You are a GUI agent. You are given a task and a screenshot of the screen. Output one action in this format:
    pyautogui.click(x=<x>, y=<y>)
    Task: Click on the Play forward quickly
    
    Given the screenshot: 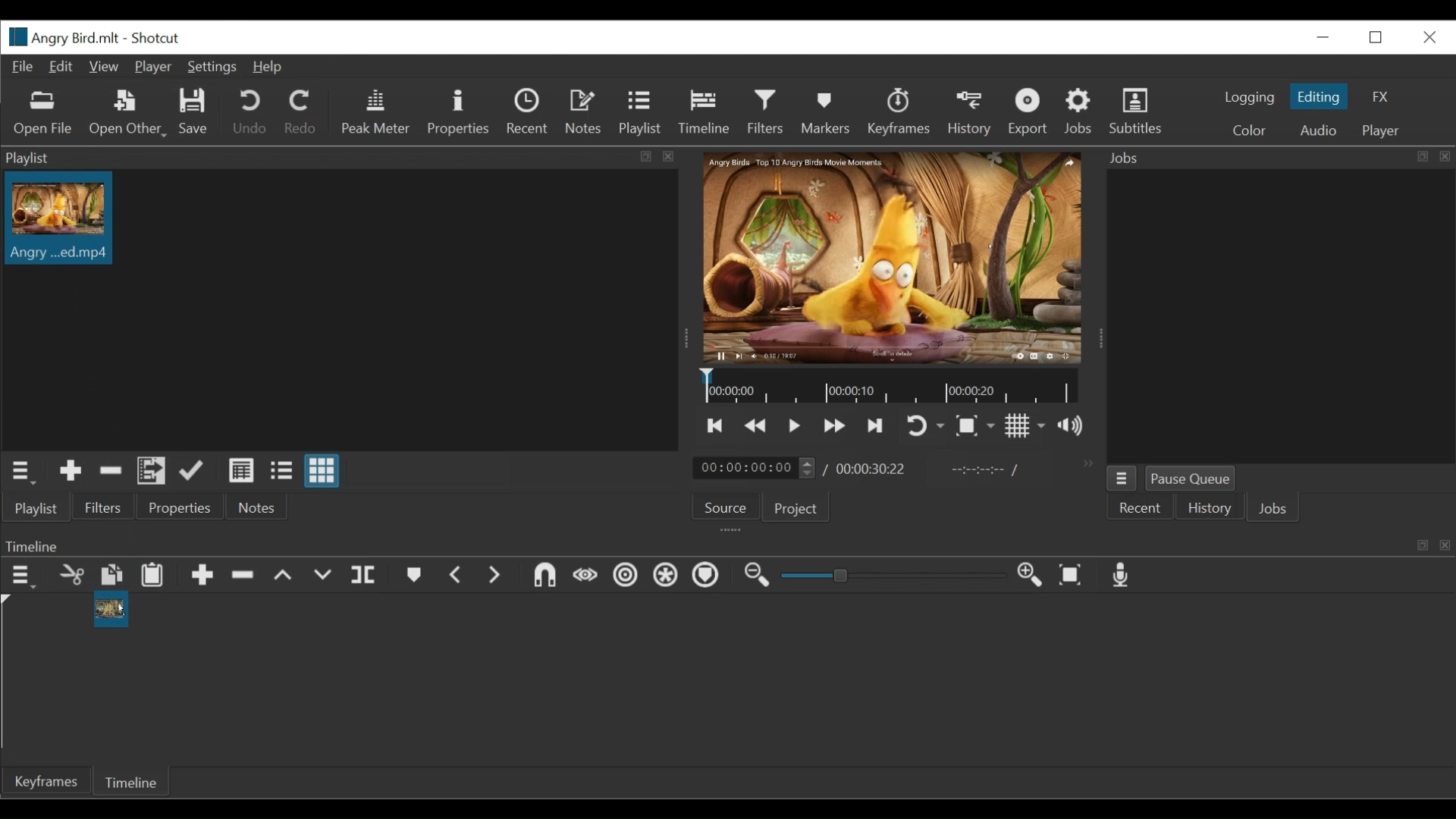 What is the action you would take?
    pyautogui.click(x=834, y=425)
    